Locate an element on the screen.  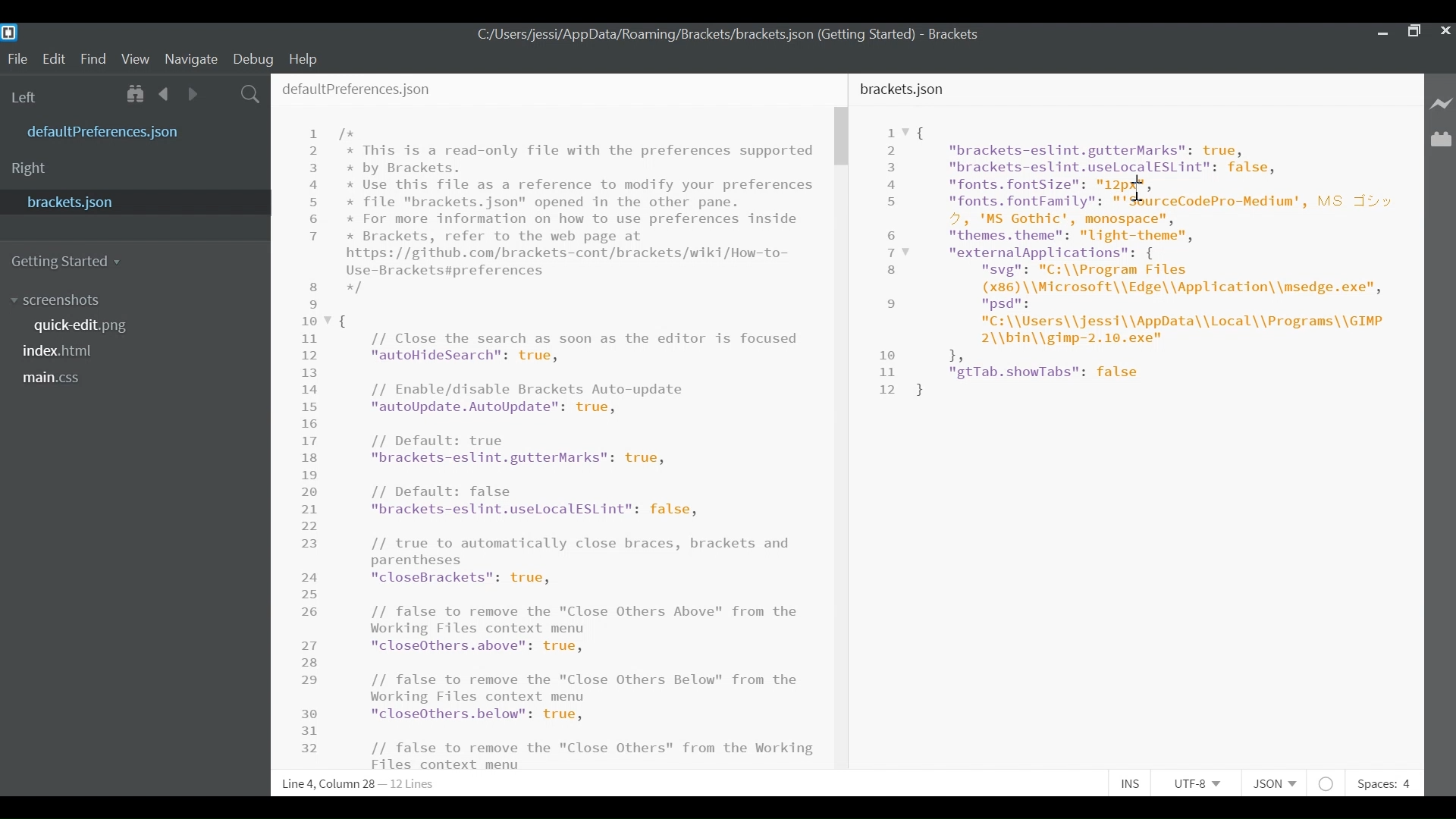
Code Editor for Bracket software overview. is located at coordinates (1166, 262).